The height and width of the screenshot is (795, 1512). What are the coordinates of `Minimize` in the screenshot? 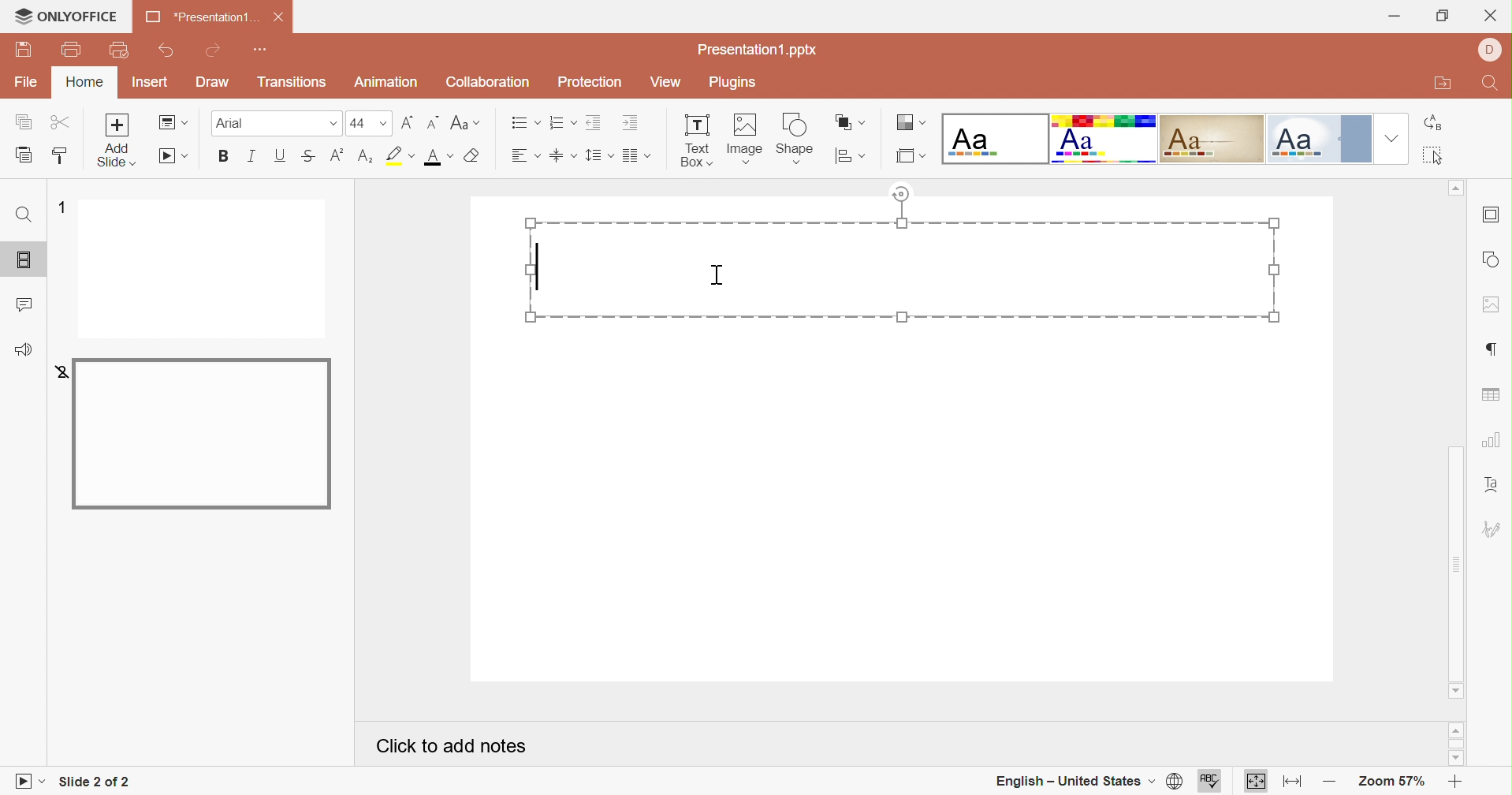 It's located at (1396, 17).